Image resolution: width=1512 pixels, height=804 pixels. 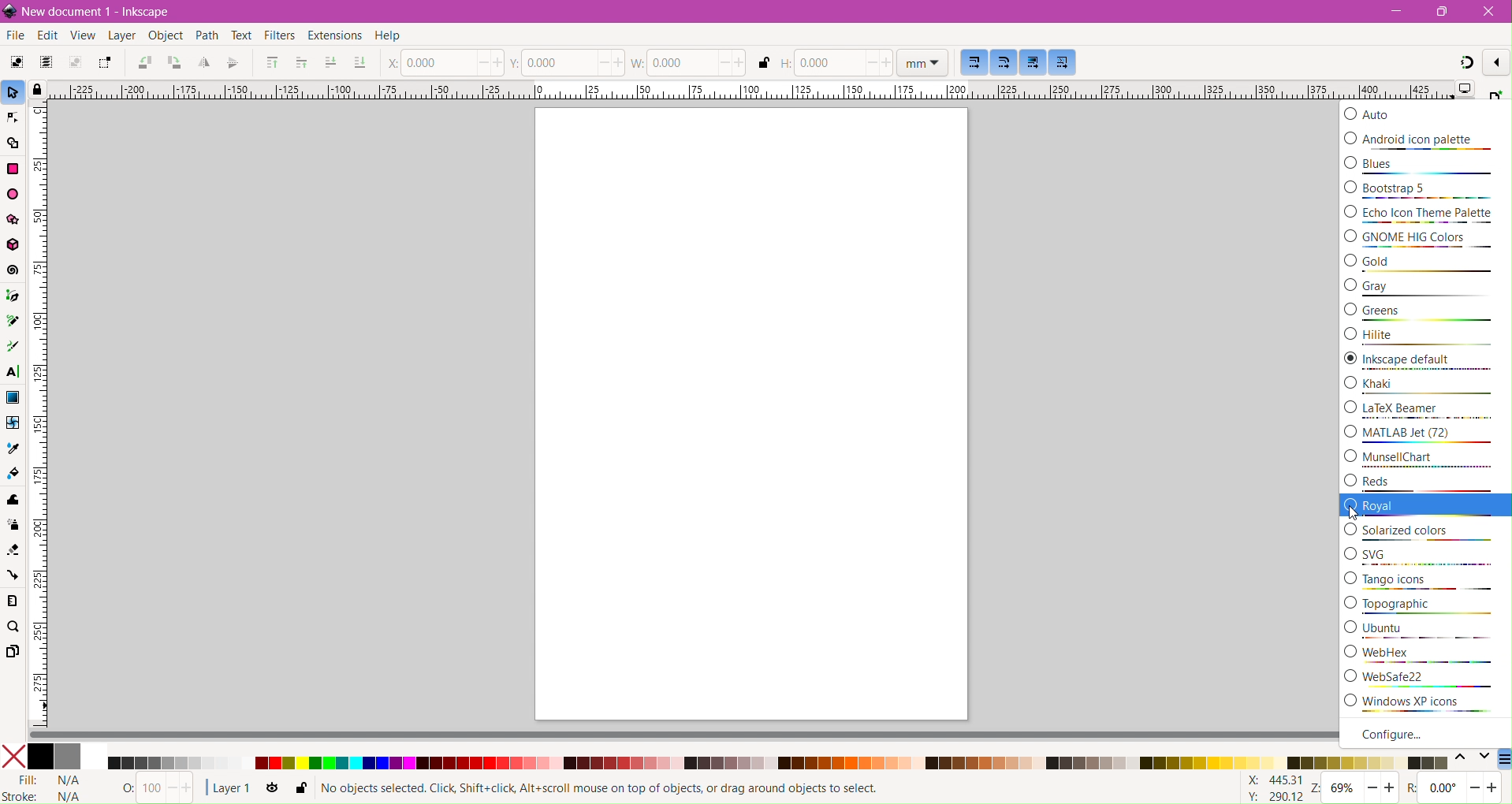 I want to click on Zoom Tool, so click(x=16, y=628).